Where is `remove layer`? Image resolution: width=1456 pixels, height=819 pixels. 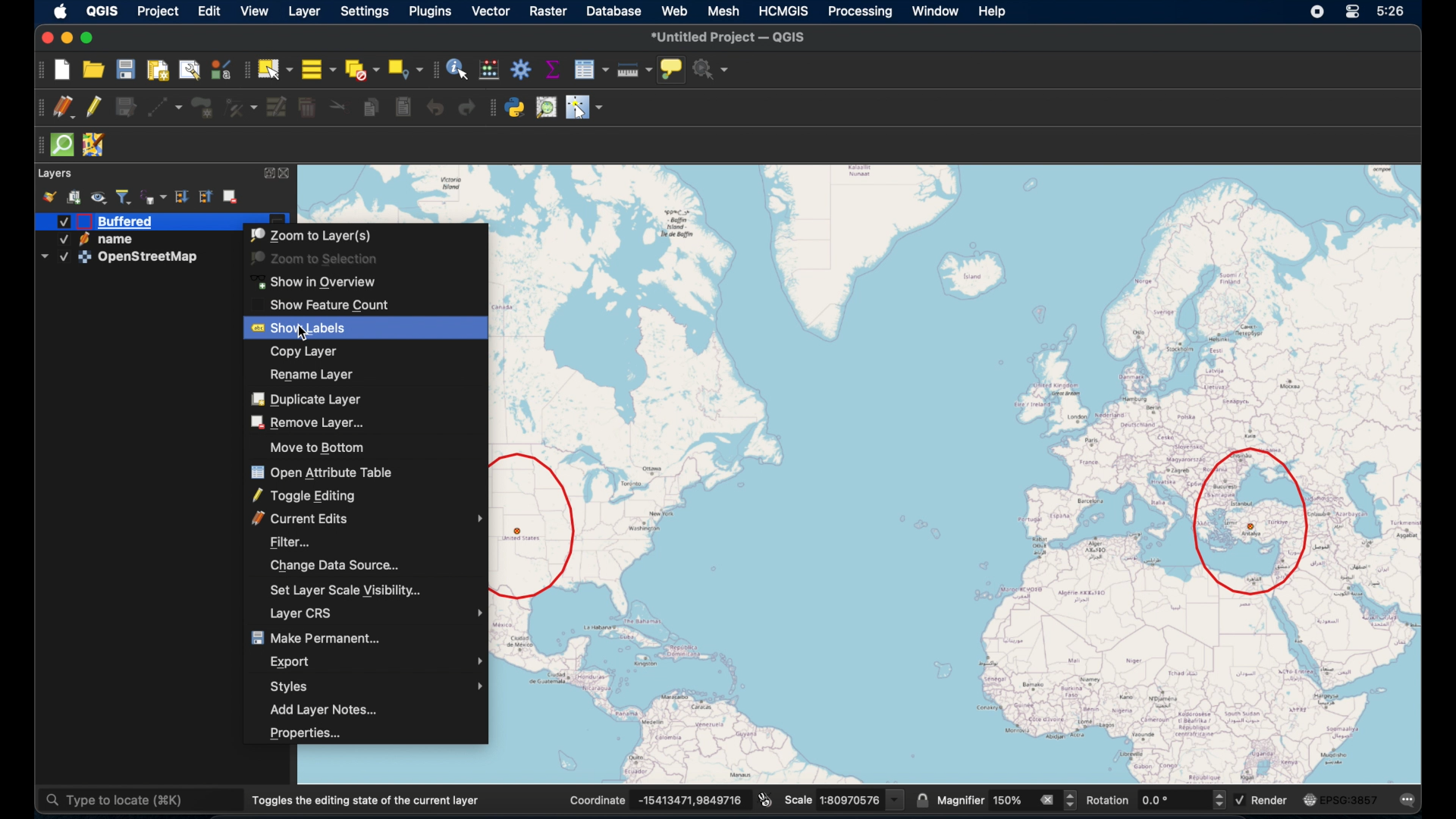 remove layer is located at coordinates (312, 420).